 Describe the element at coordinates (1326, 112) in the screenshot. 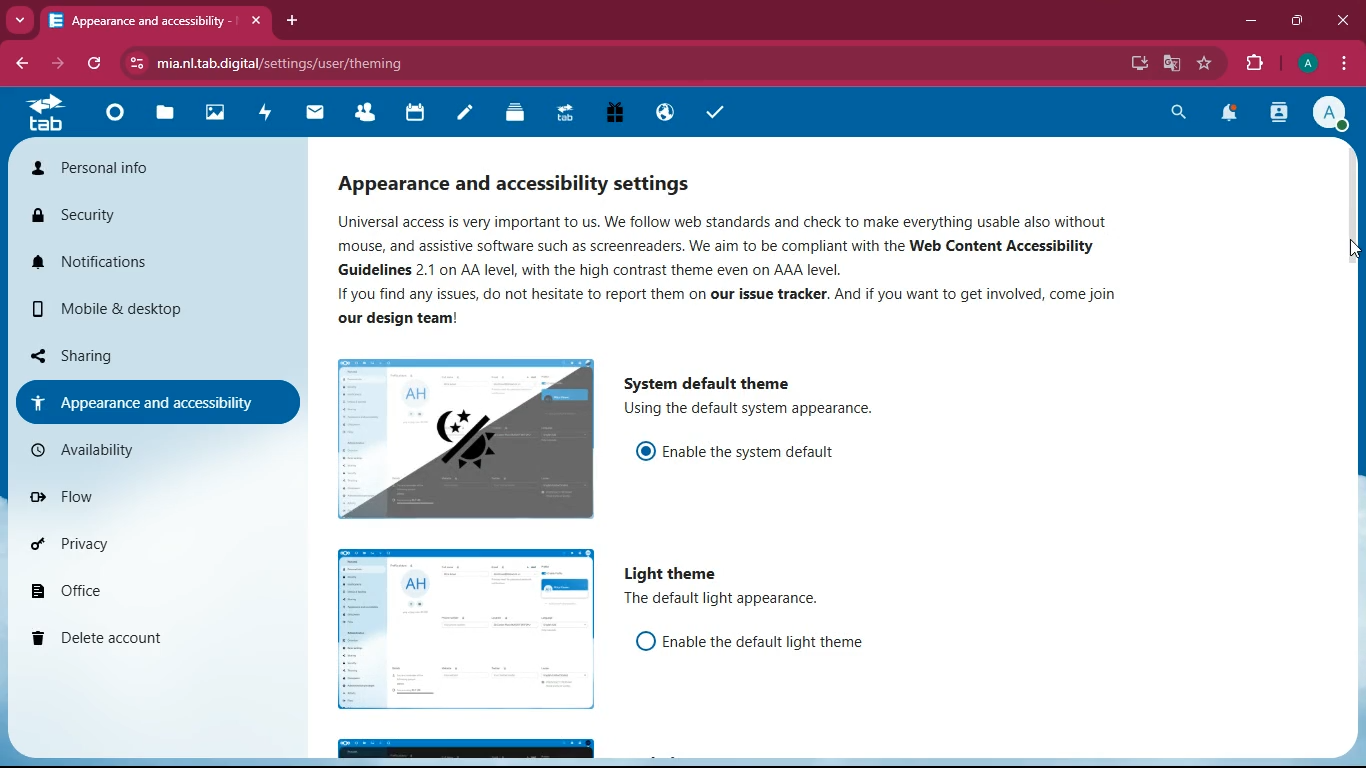

I see `profile` at that location.